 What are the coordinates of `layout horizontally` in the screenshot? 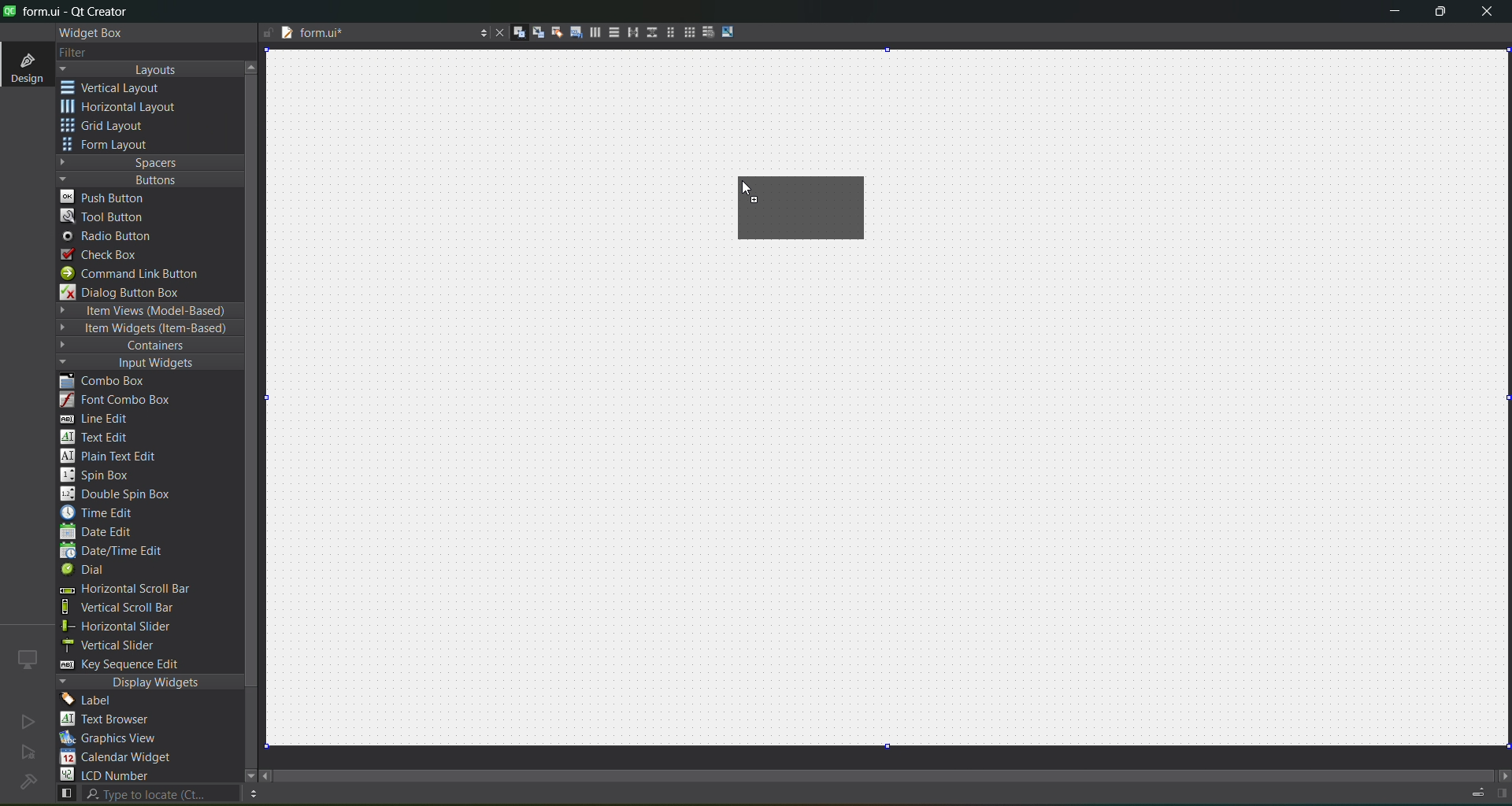 It's located at (590, 35).